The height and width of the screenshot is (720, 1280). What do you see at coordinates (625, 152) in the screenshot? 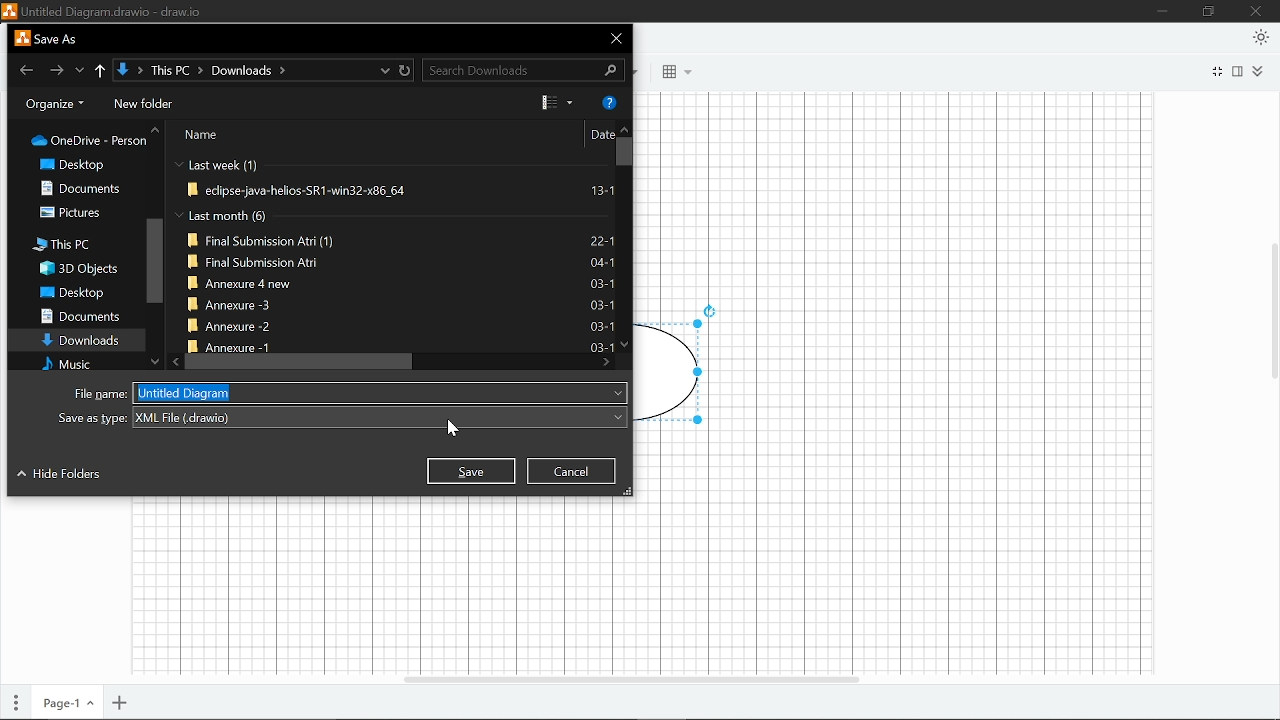
I see `Vertical scrollbar for files in "Downloads"` at bounding box center [625, 152].